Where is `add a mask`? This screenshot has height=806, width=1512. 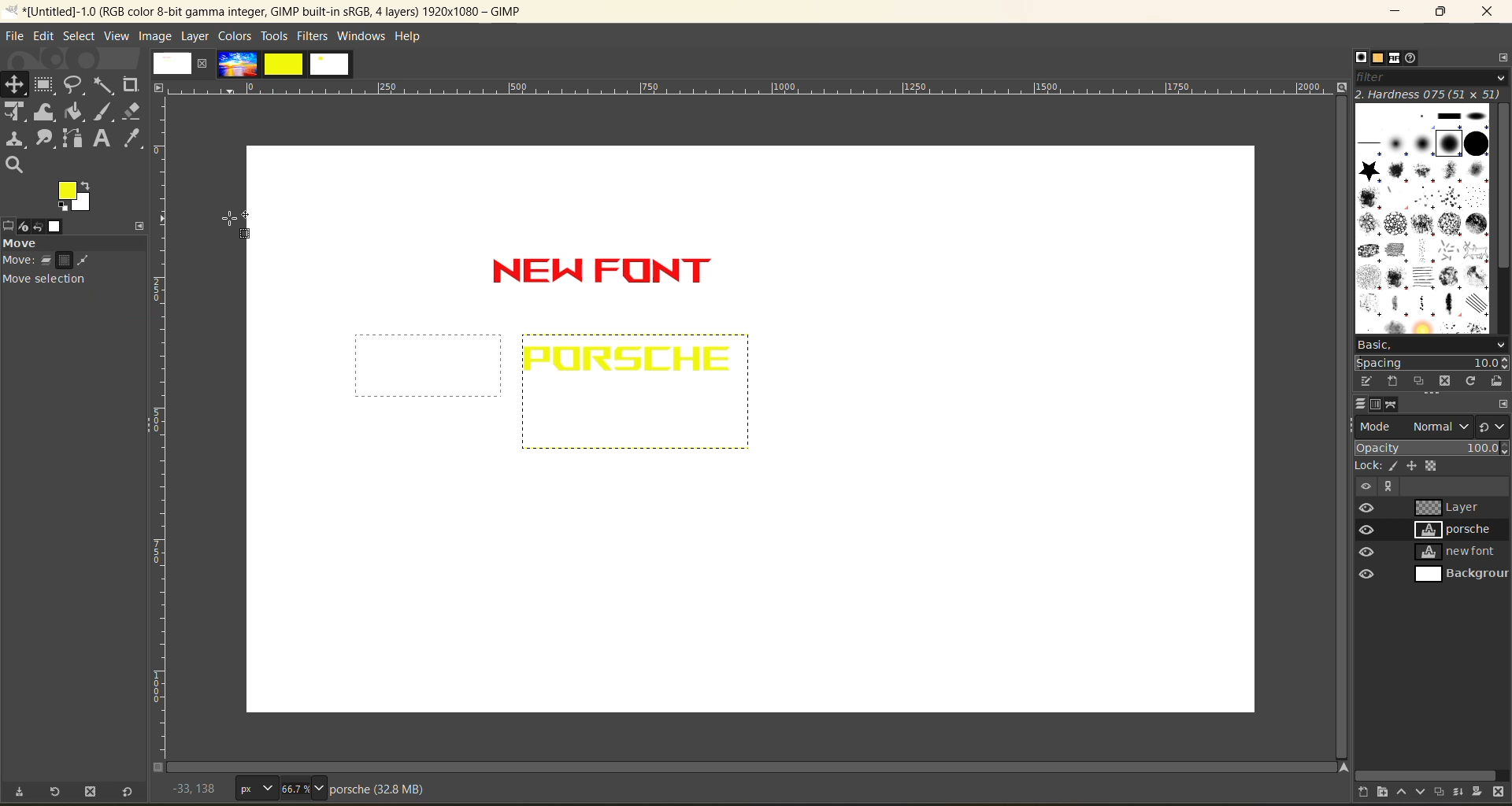 add a mask is located at coordinates (1482, 790).